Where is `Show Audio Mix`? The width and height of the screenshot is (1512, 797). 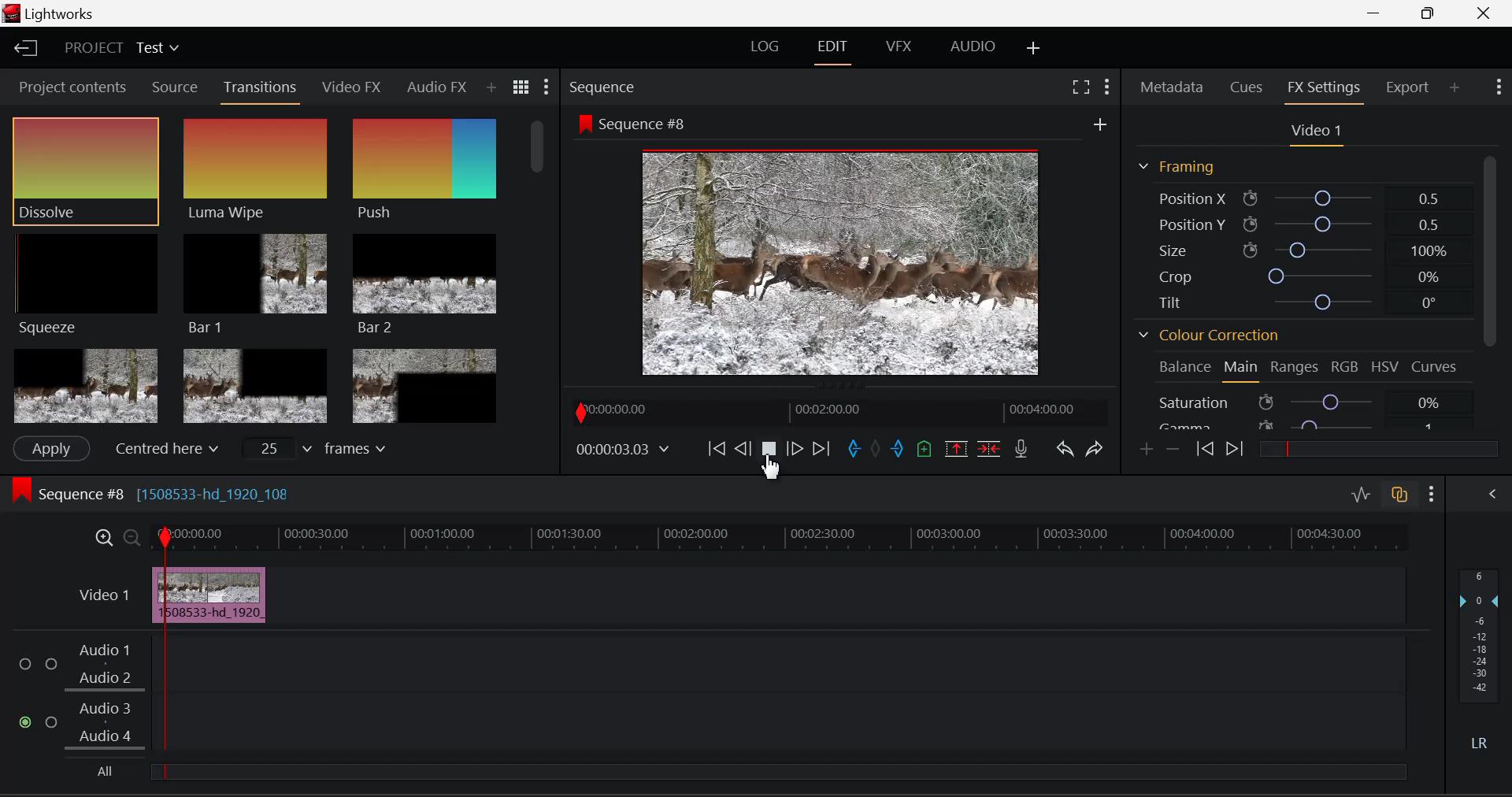
Show Audio Mix is located at coordinates (1493, 496).